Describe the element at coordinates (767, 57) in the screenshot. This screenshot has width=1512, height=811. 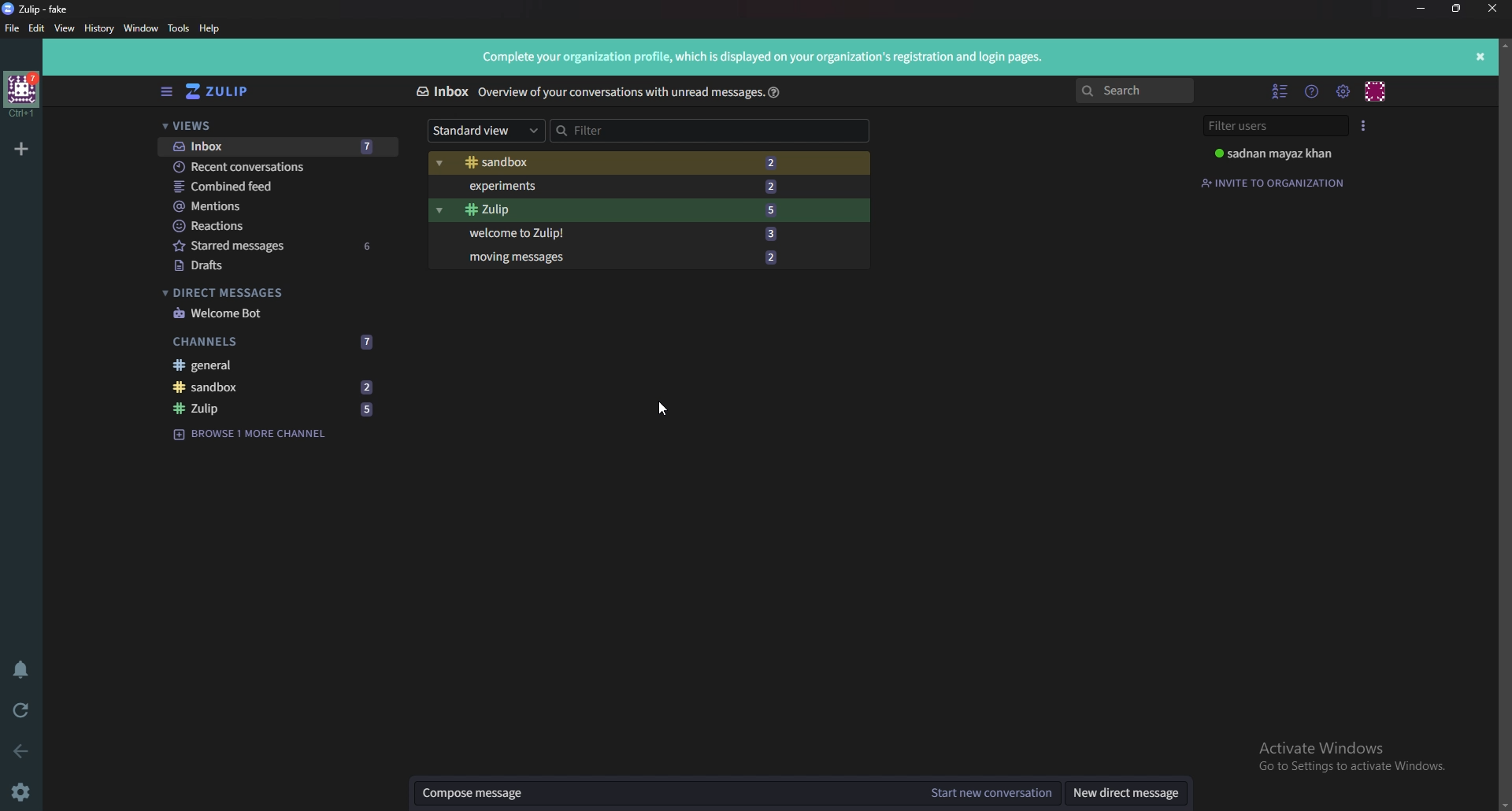
I see `Complete your organization profile, which is displayed on your organization's registration and login pages.` at that location.